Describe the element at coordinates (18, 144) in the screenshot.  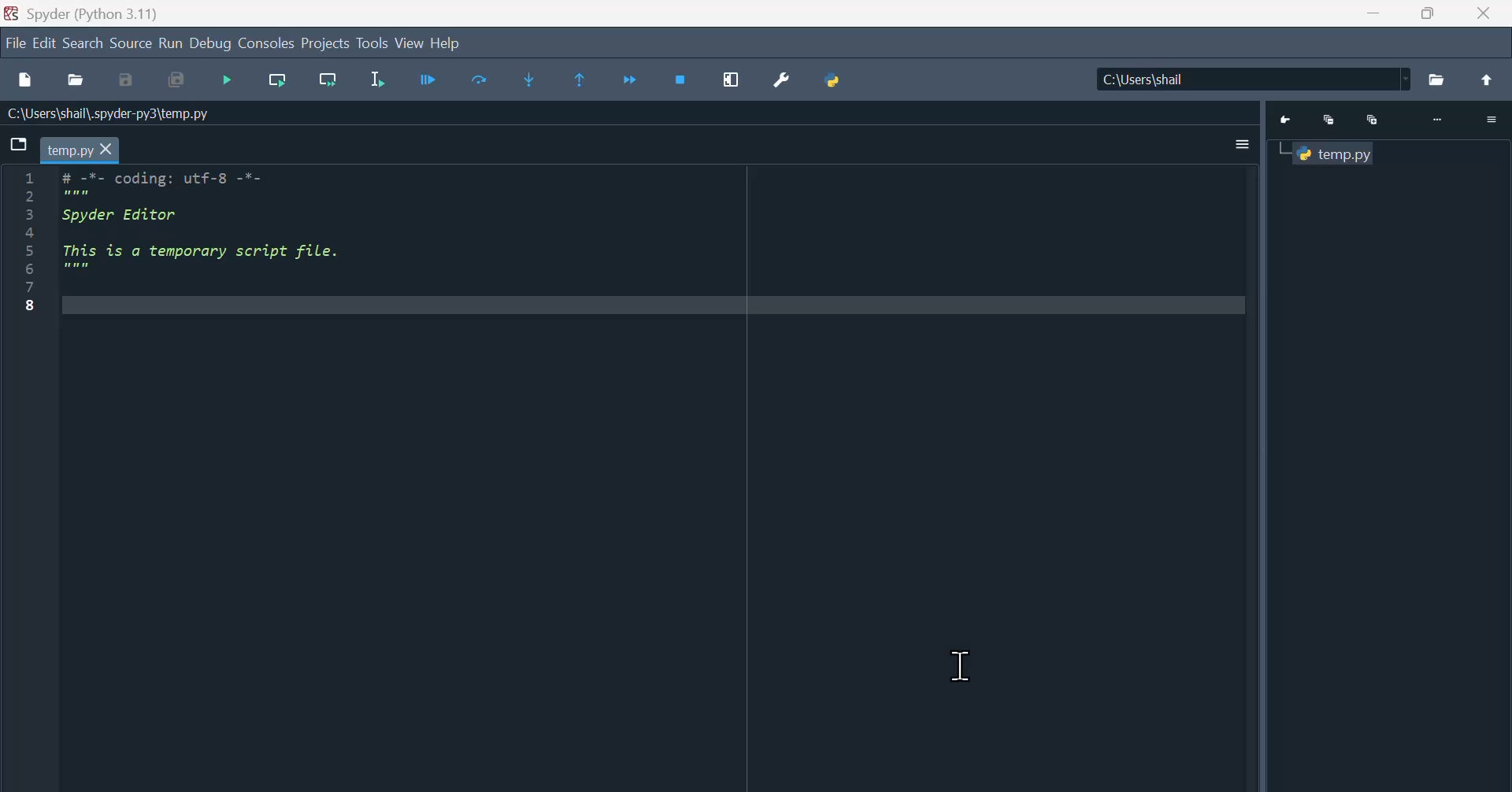
I see `Browse tabs` at that location.